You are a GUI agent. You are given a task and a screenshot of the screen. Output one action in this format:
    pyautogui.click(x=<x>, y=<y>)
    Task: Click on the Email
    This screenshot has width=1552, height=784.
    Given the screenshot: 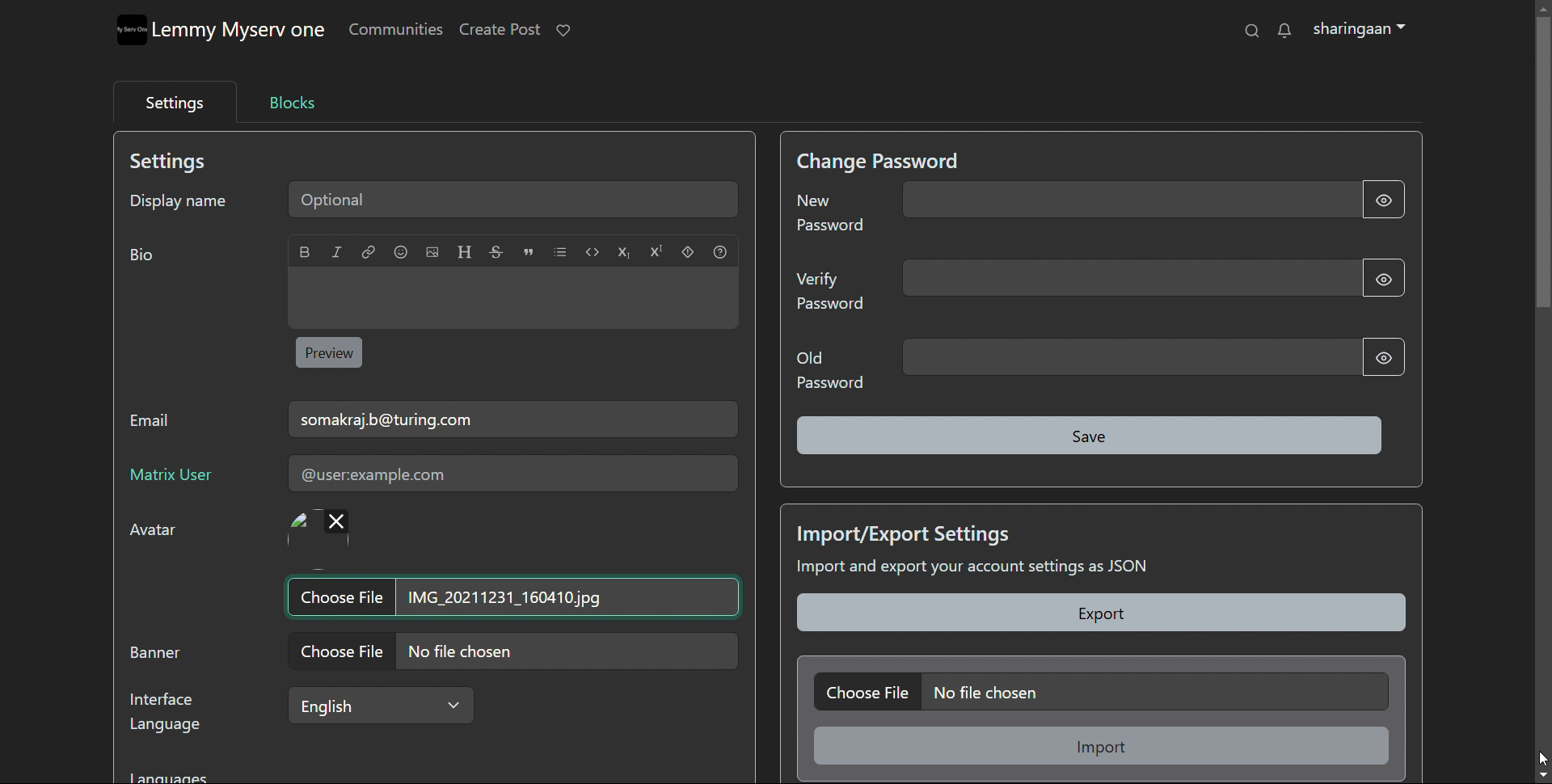 What is the action you would take?
    pyautogui.click(x=157, y=424)
    